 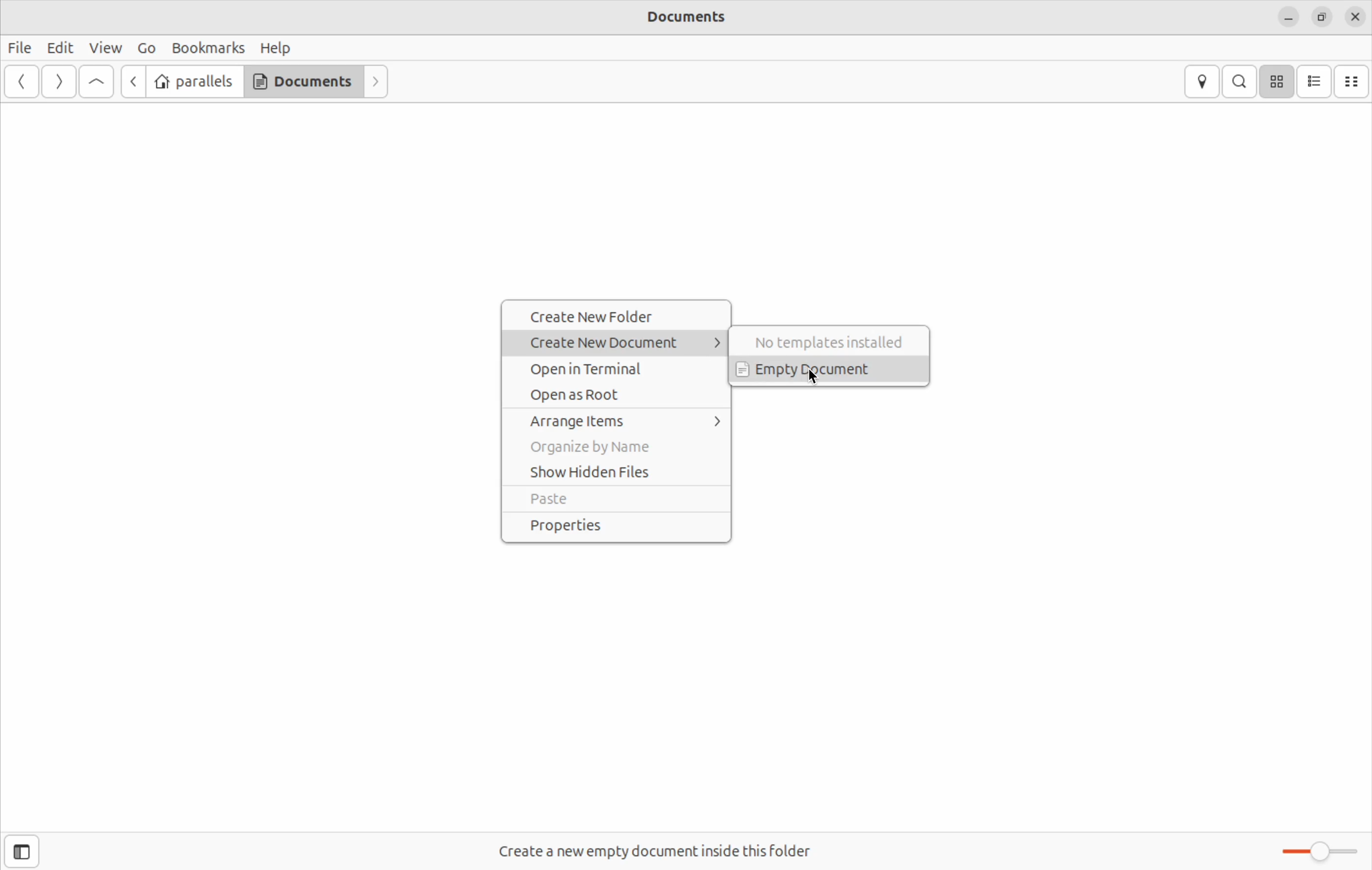 What do you see at coordinates (615, 526) in the screenshot?
I see `properties` at bounding box center [615, 526].